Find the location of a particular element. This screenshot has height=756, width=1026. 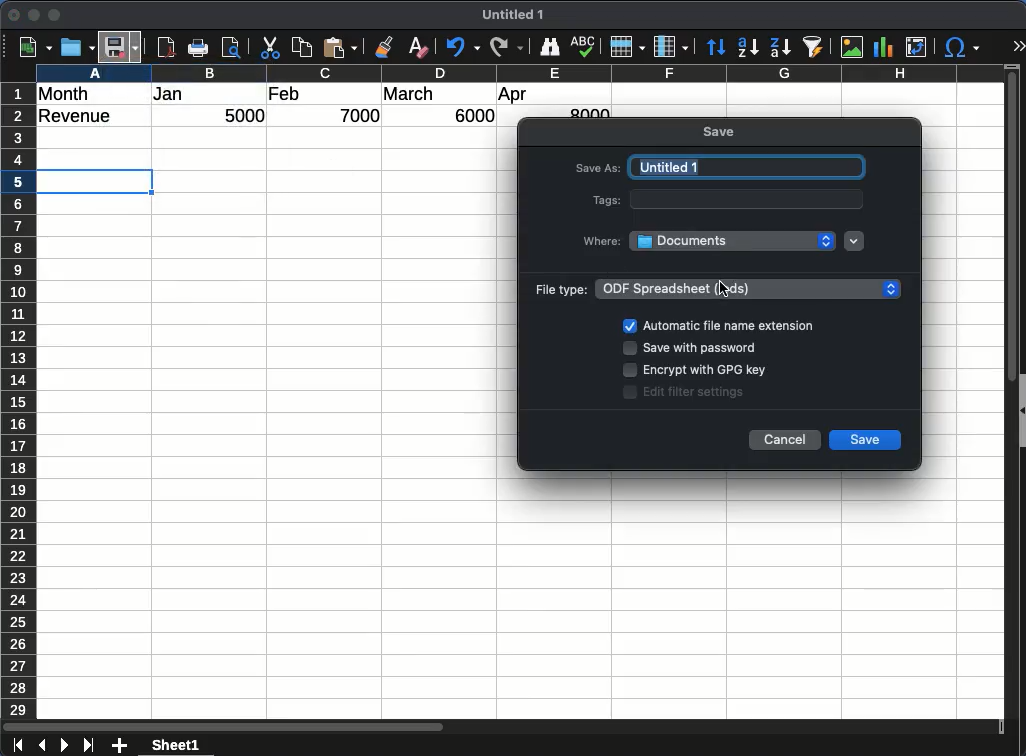

encrypt with GPG key is located at coordinates (705, 372).